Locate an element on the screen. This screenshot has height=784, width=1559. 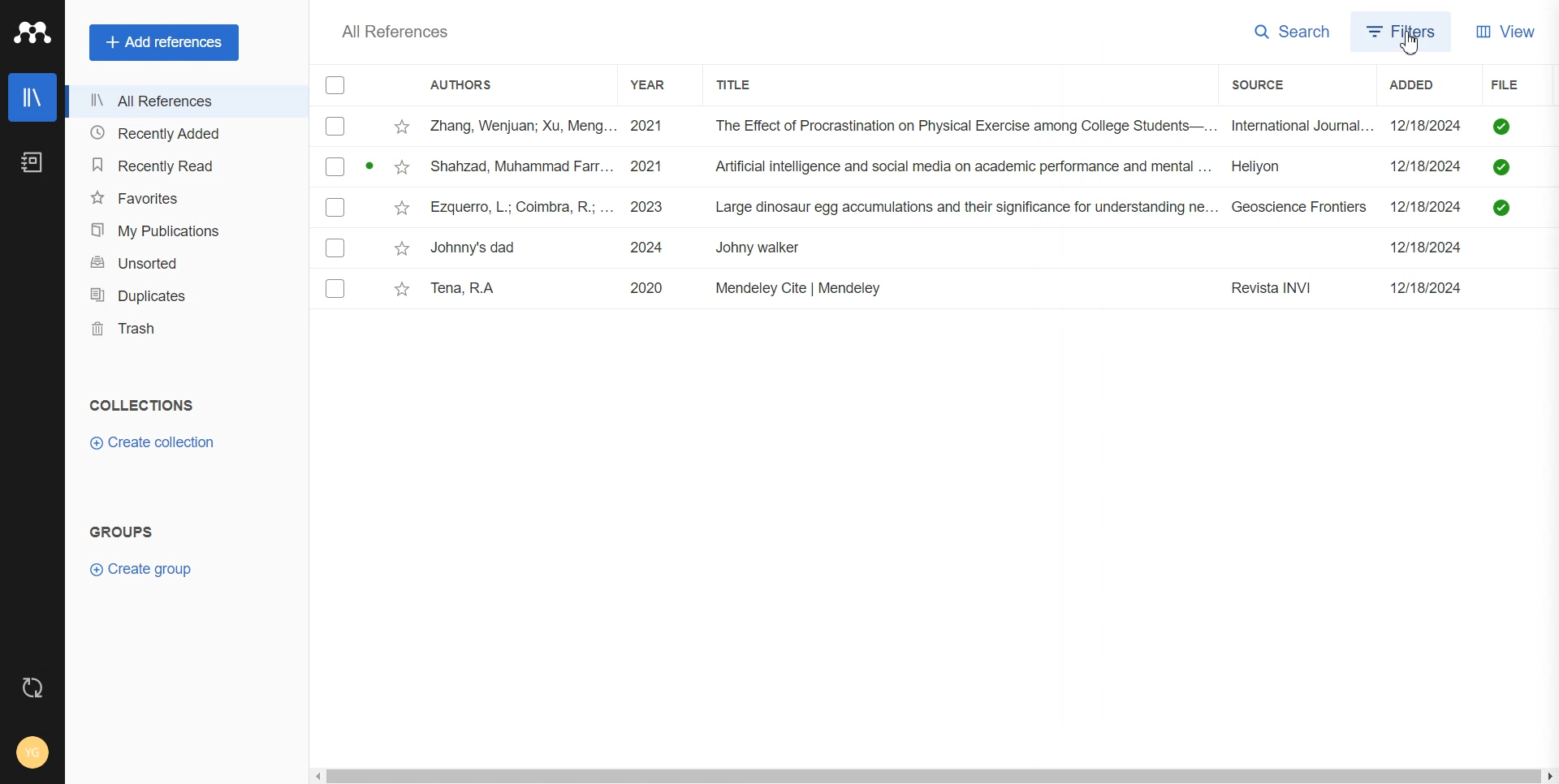
All References is located at coordinates (396, 32).